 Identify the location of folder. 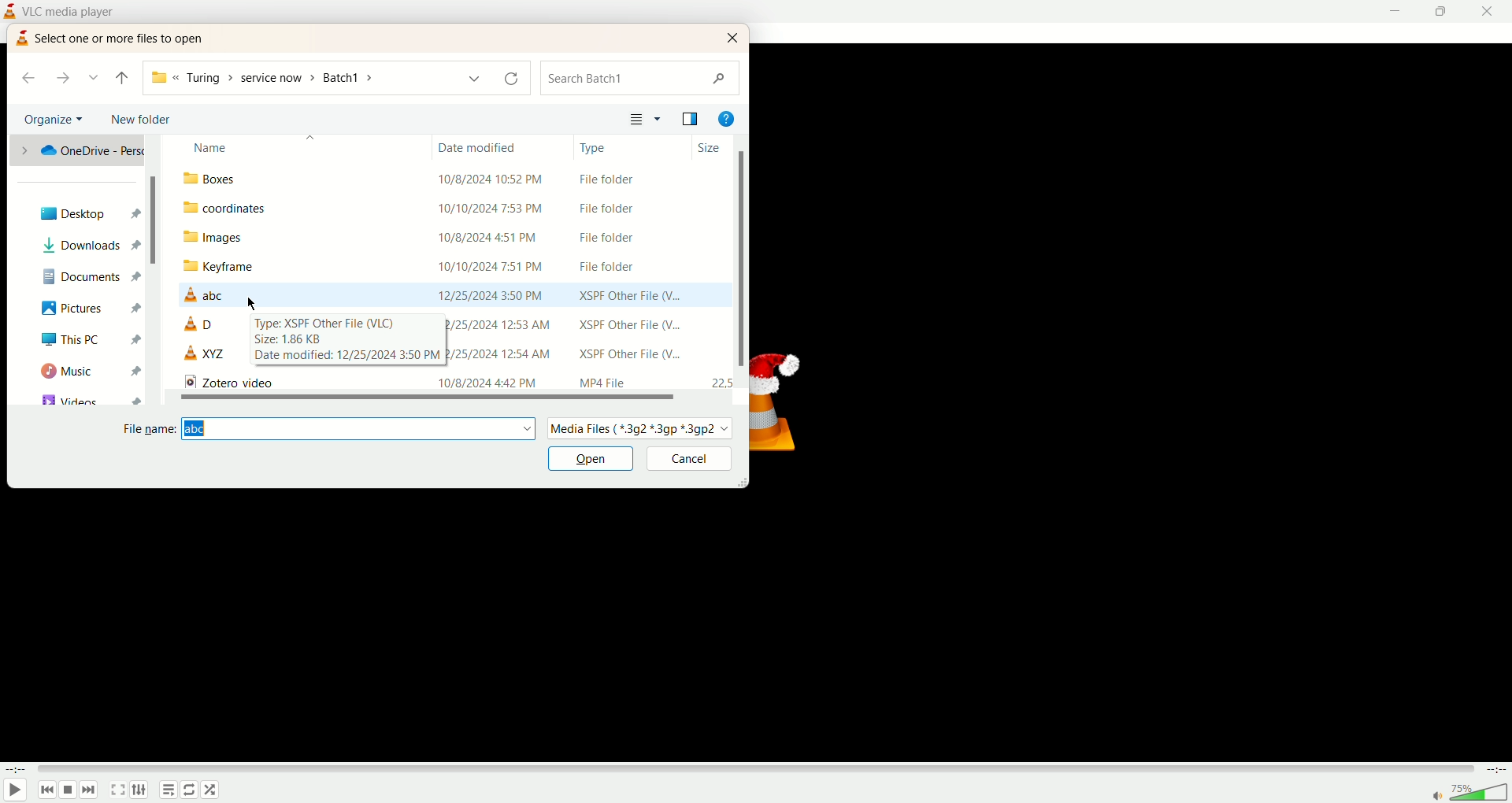
(452, 236).